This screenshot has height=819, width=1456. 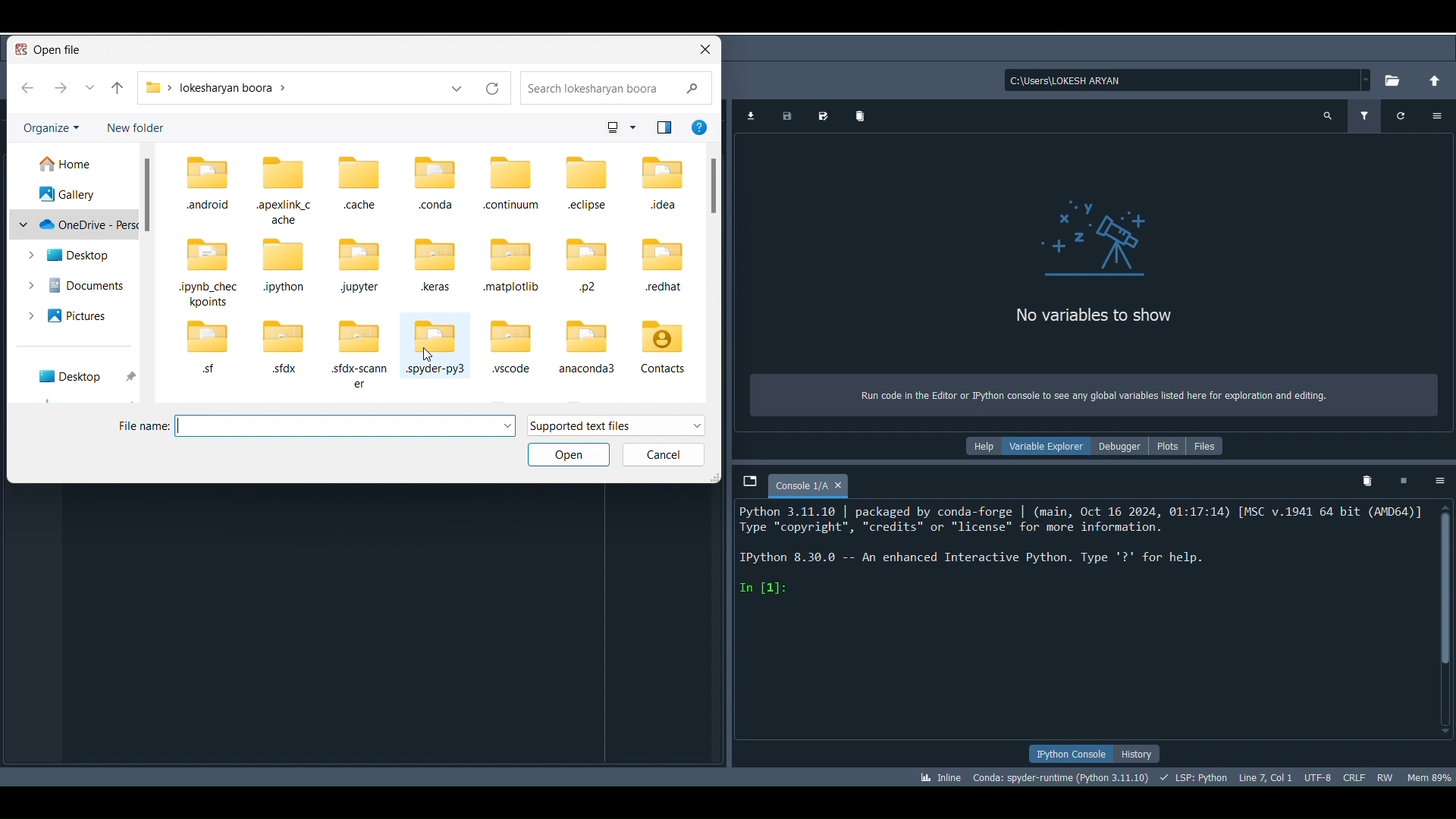 I want to click on Browse a working directory, so click(x=1394, y=80).